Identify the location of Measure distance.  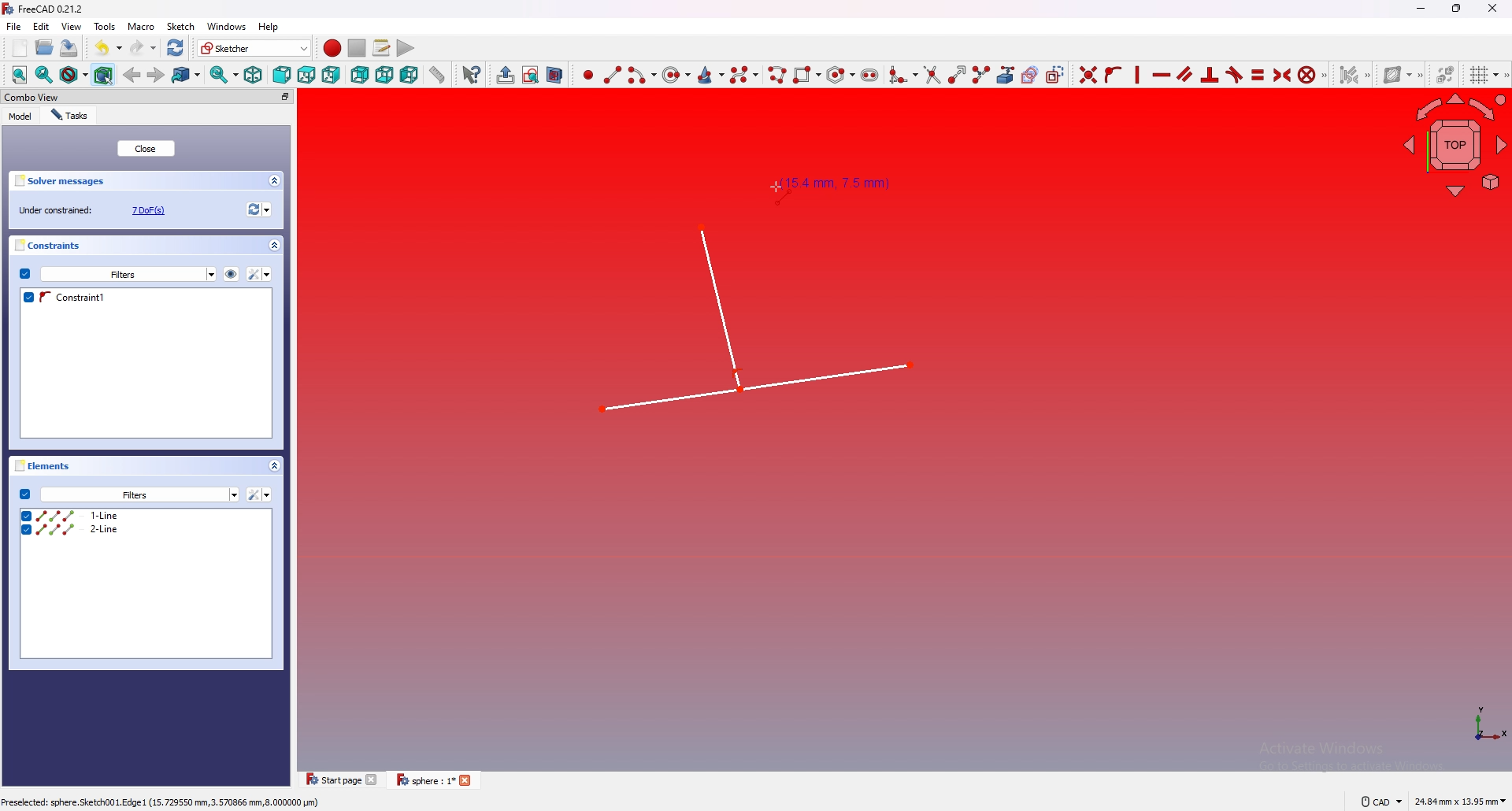
(437, 74).